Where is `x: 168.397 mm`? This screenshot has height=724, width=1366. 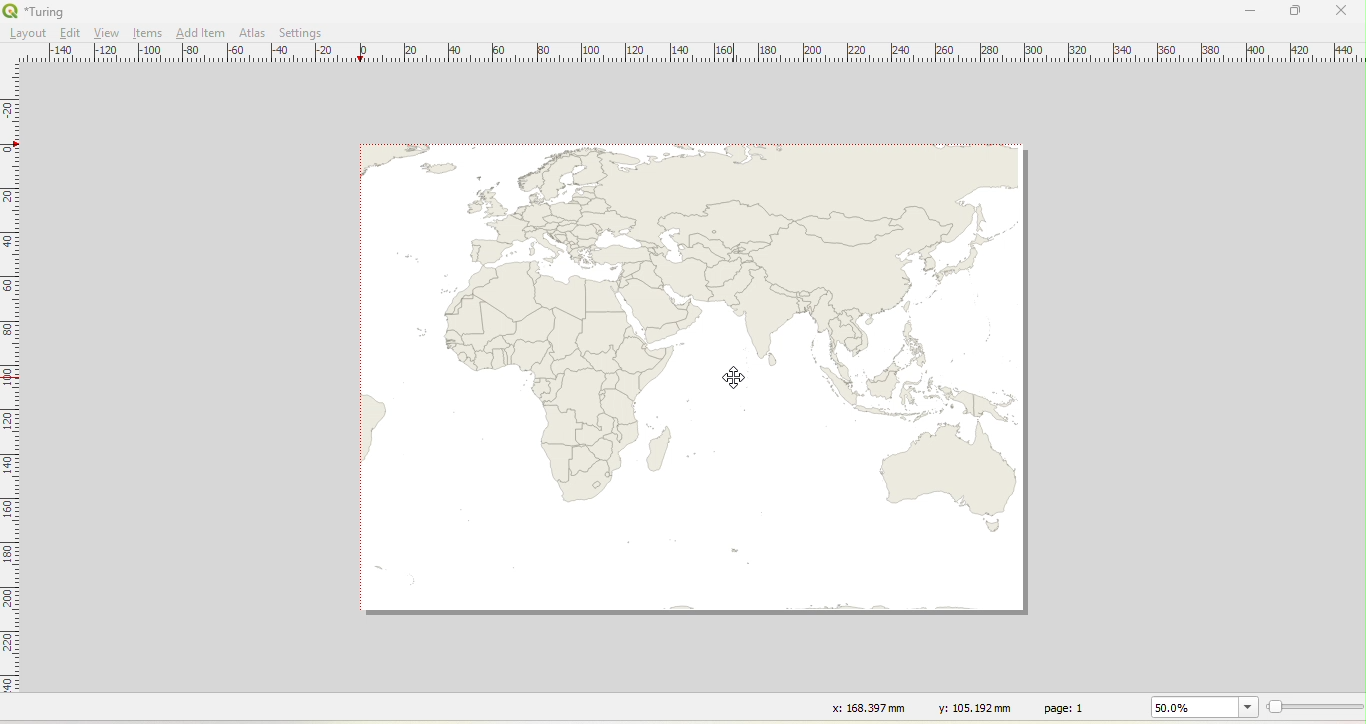 x: 168.397 mm is located at coordinates (866, 707).